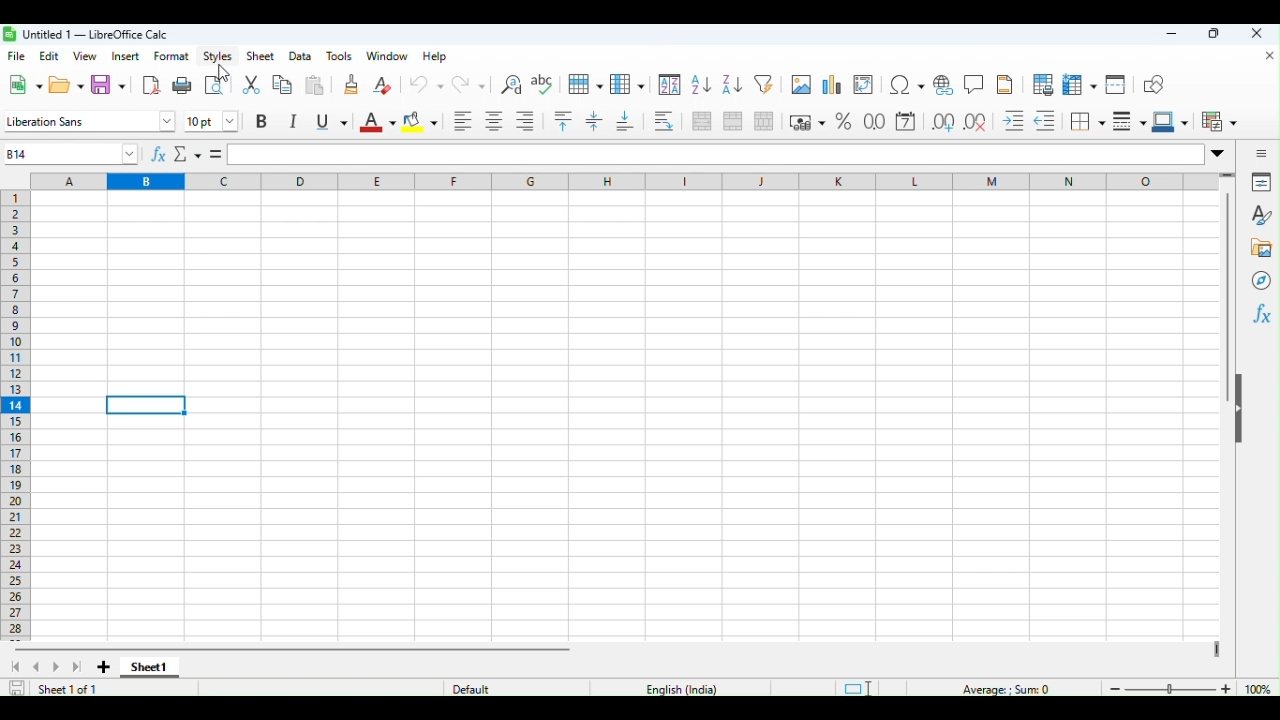  I want to click on Data, so click(302, 54).